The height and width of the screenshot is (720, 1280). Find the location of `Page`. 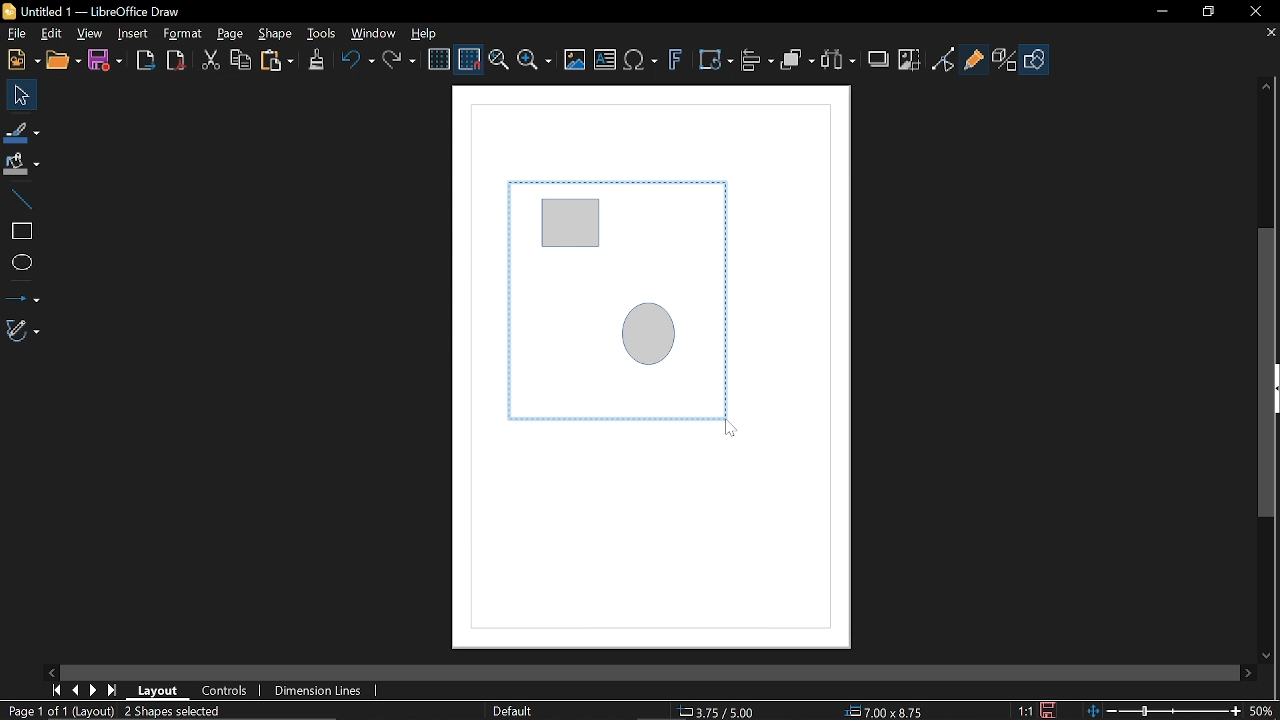

Page is located at coordinates (230, 35).